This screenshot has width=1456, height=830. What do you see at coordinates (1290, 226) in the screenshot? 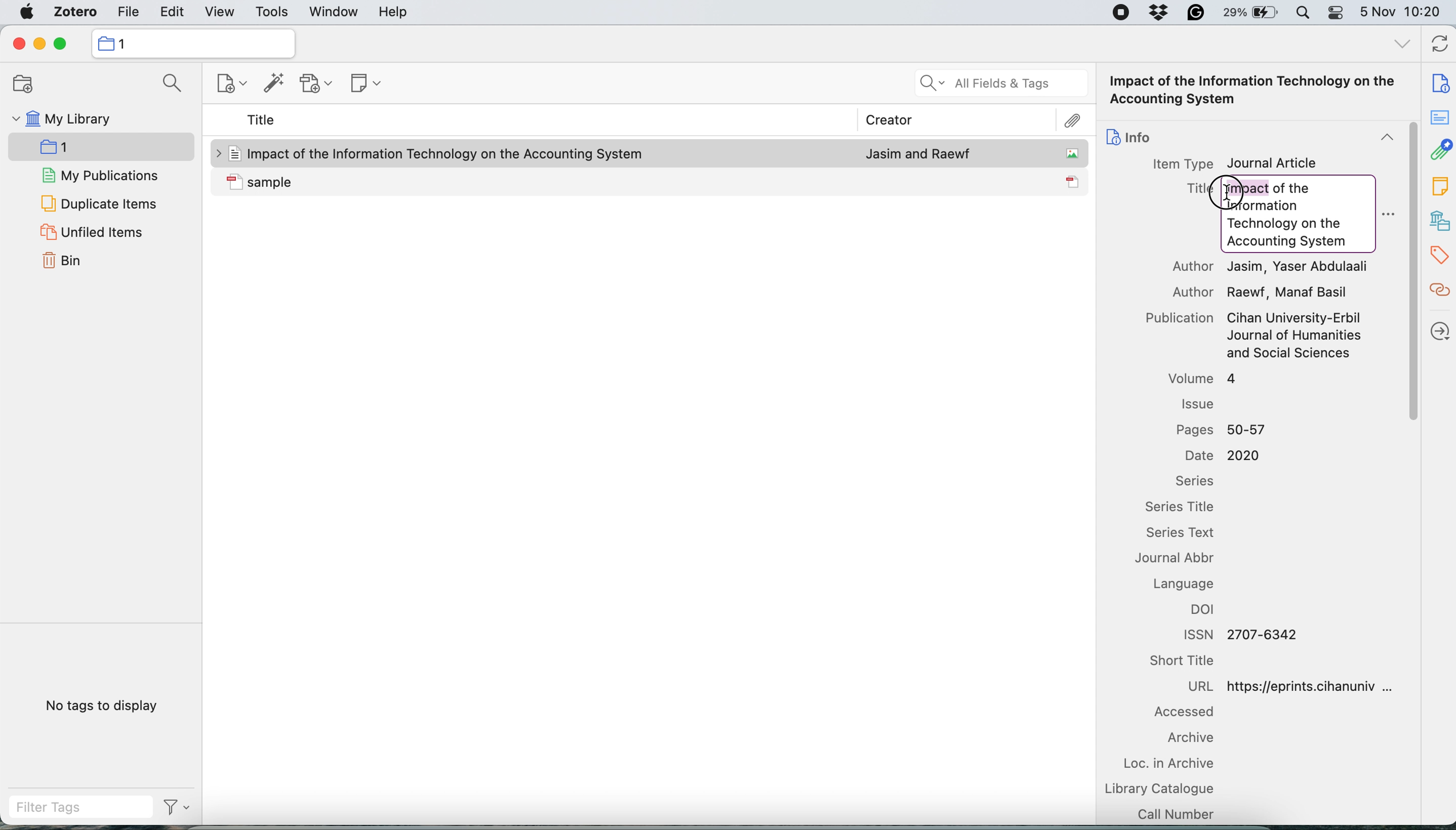
I see `Information Technology on the Accounting System` at bounding box center [1290, 226].